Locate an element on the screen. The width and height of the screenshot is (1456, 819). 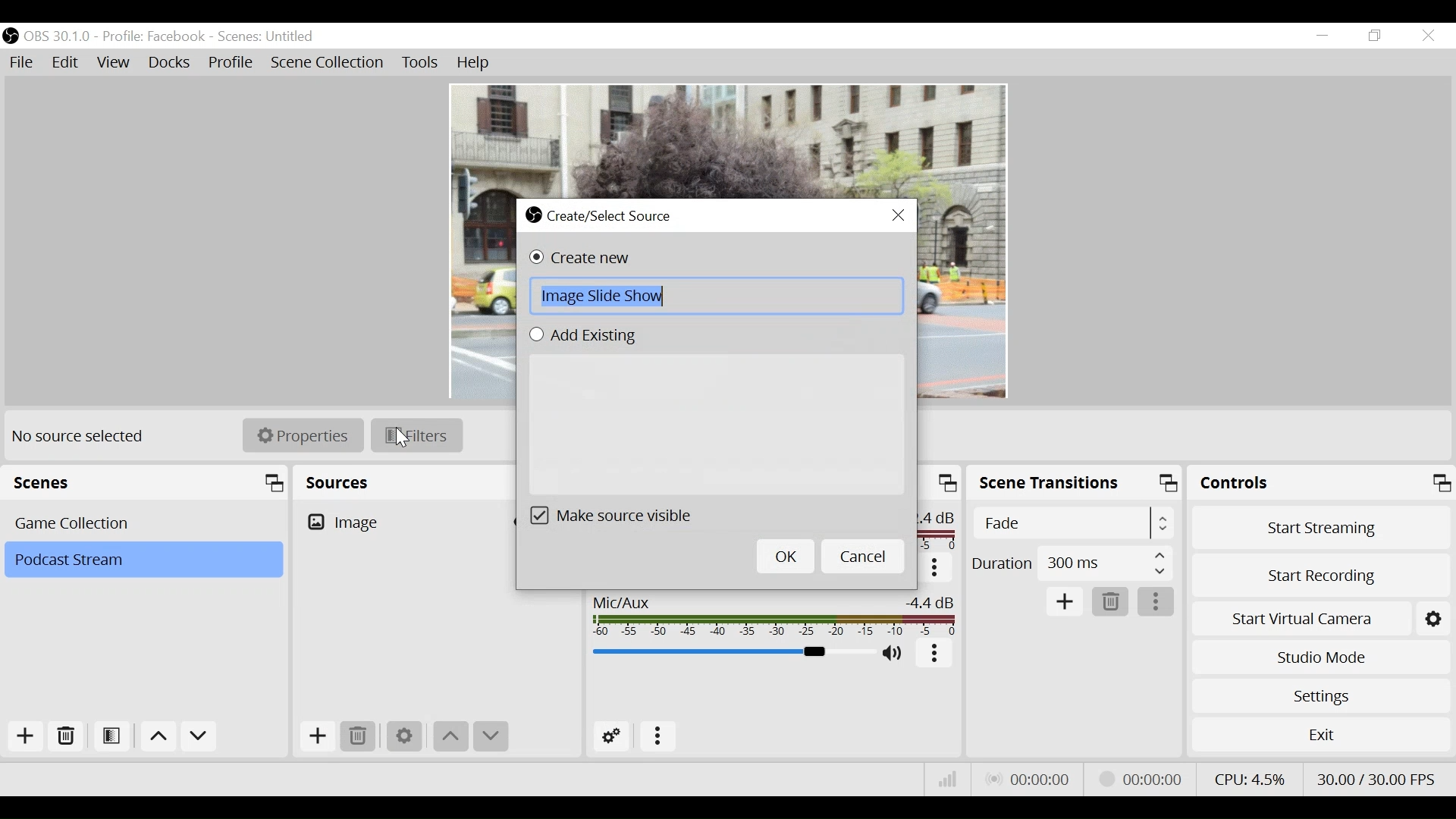
Start Streaming is located at coordinates (1322, 527).